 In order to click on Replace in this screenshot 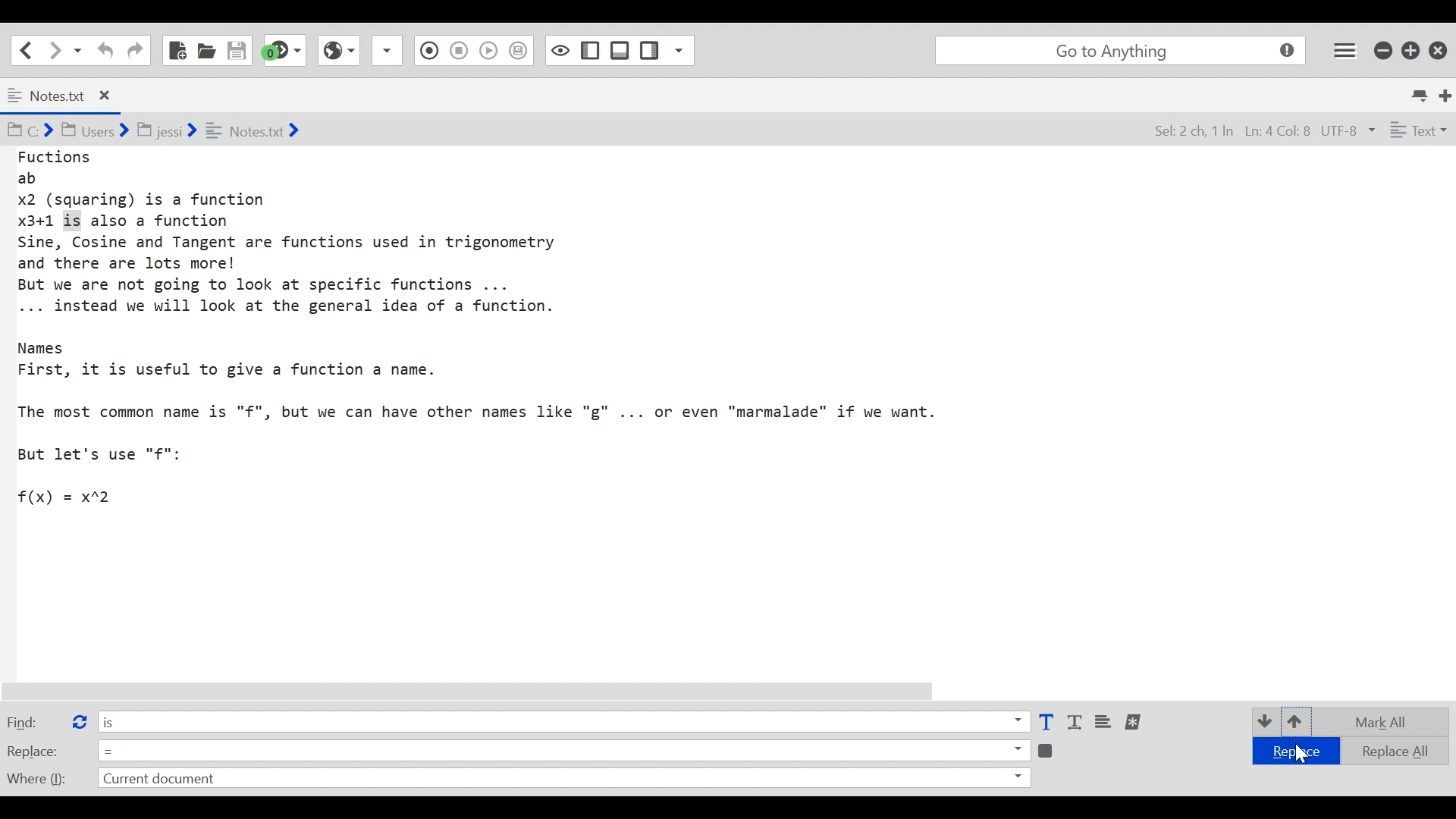, I will do `click(33, 751)`.